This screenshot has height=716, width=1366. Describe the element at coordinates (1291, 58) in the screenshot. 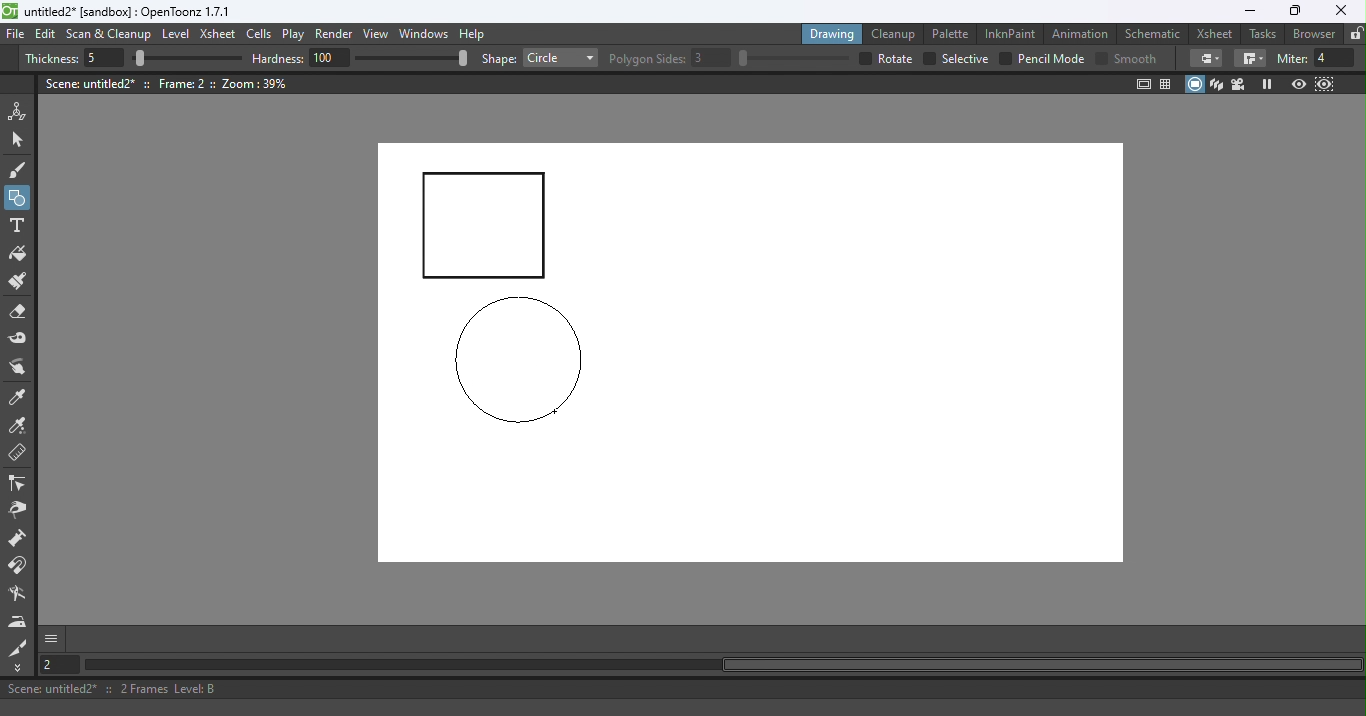

I see `miter` at that location.